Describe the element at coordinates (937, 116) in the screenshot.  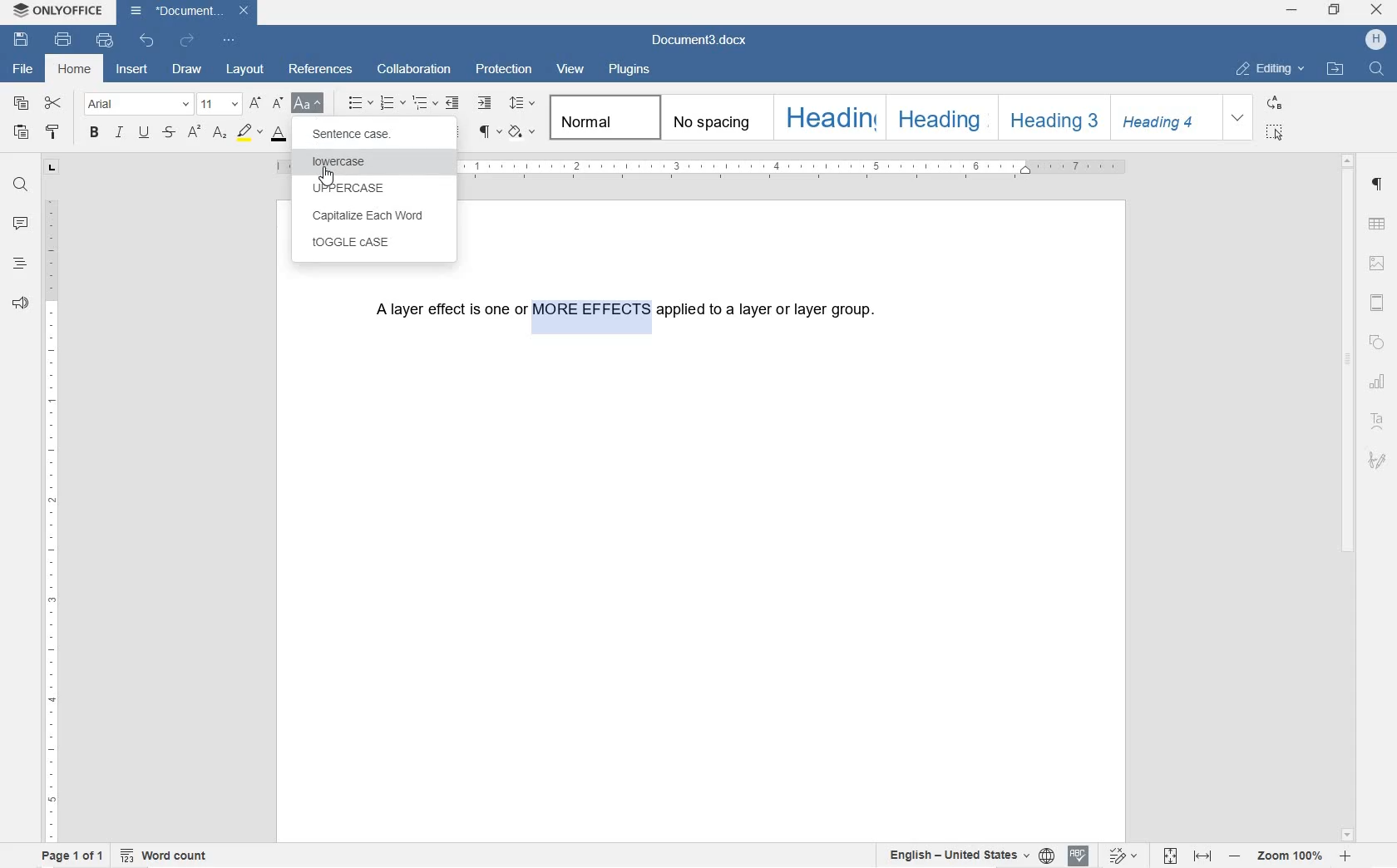
I see `HEADING 2` at that location.